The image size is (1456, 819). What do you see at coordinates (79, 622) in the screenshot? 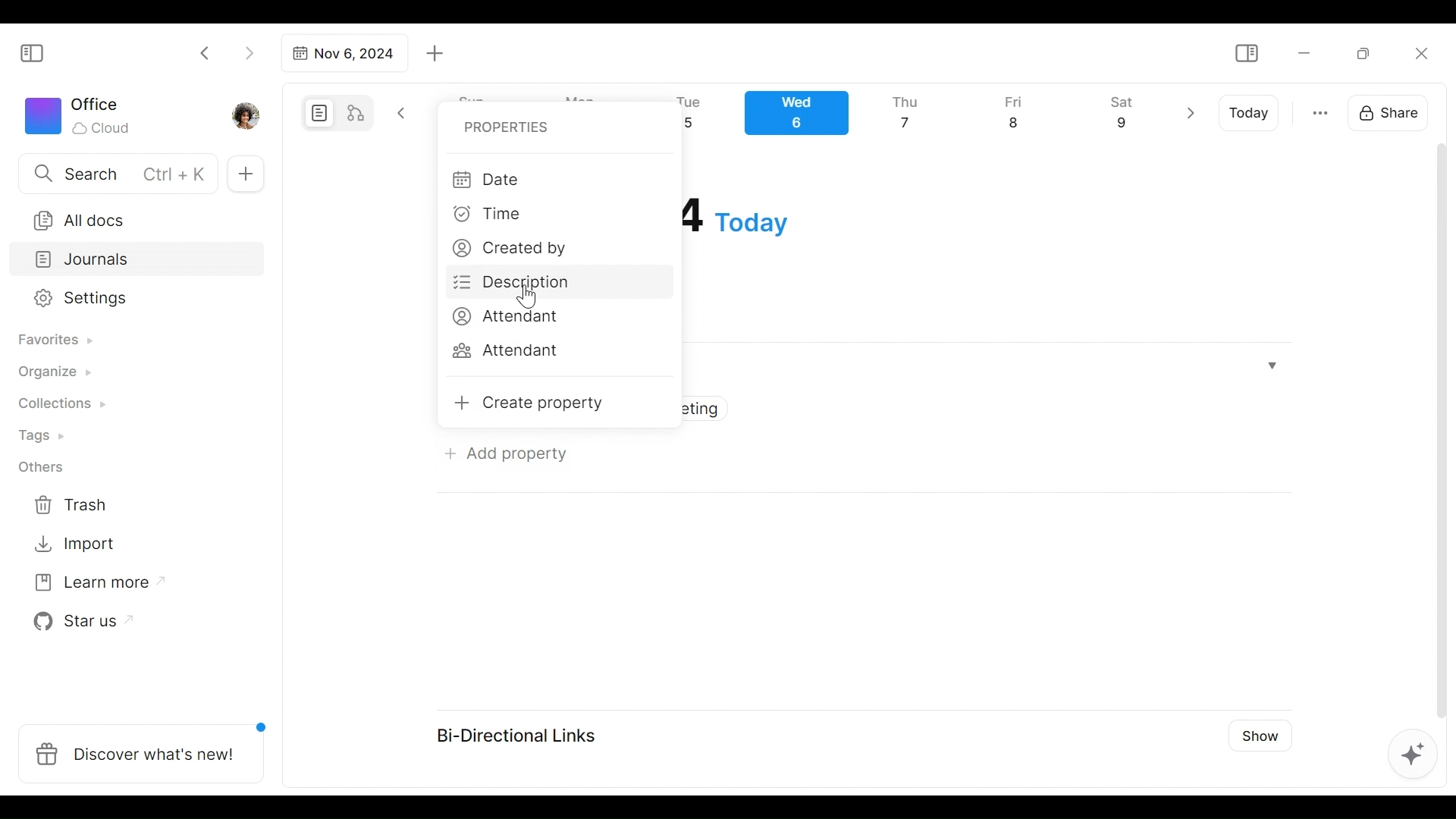
I see `Star us` at bounding box center [79, 622].